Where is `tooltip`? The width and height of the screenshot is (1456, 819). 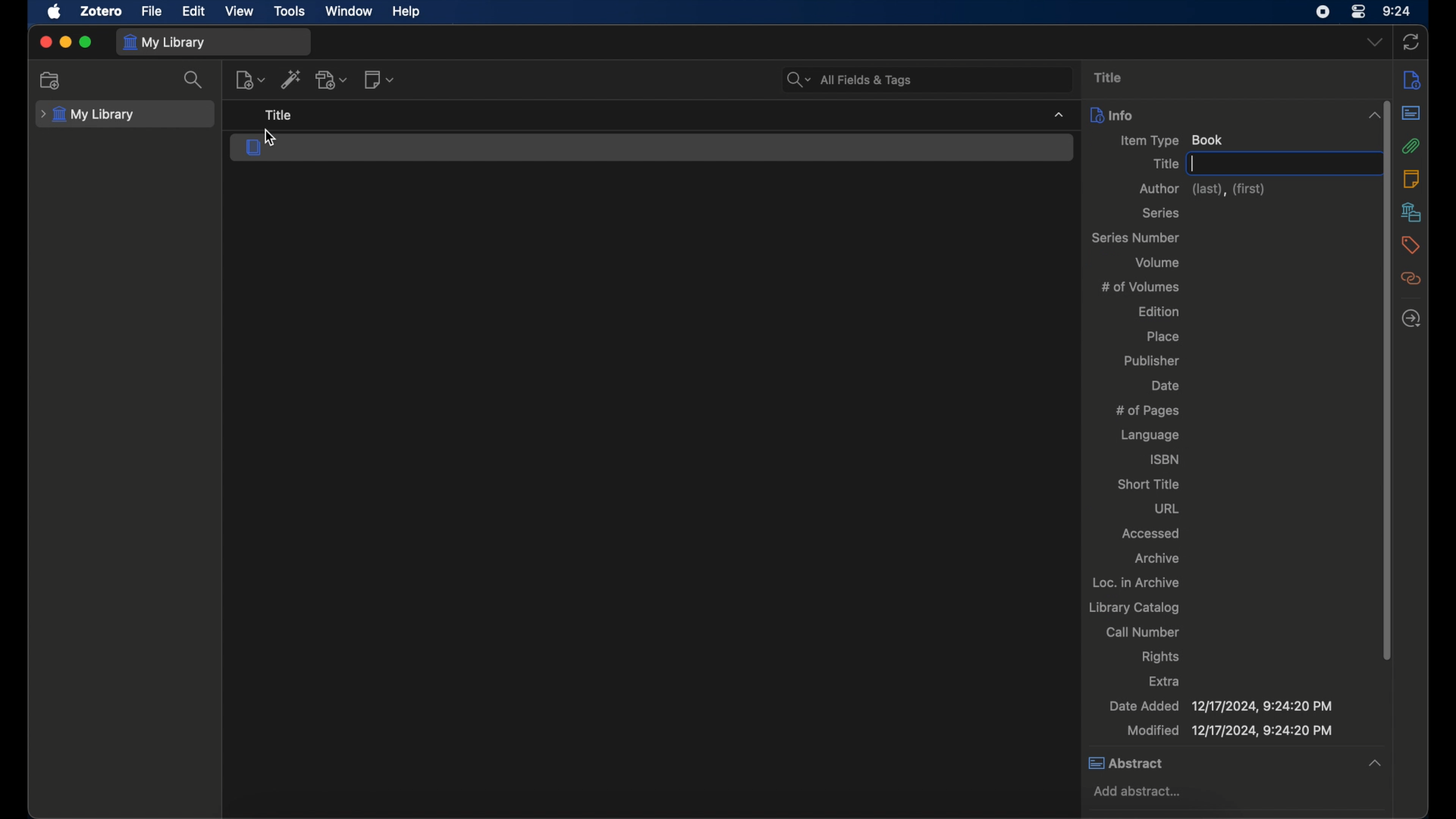 tooltip is located at coordinates (288, 115).